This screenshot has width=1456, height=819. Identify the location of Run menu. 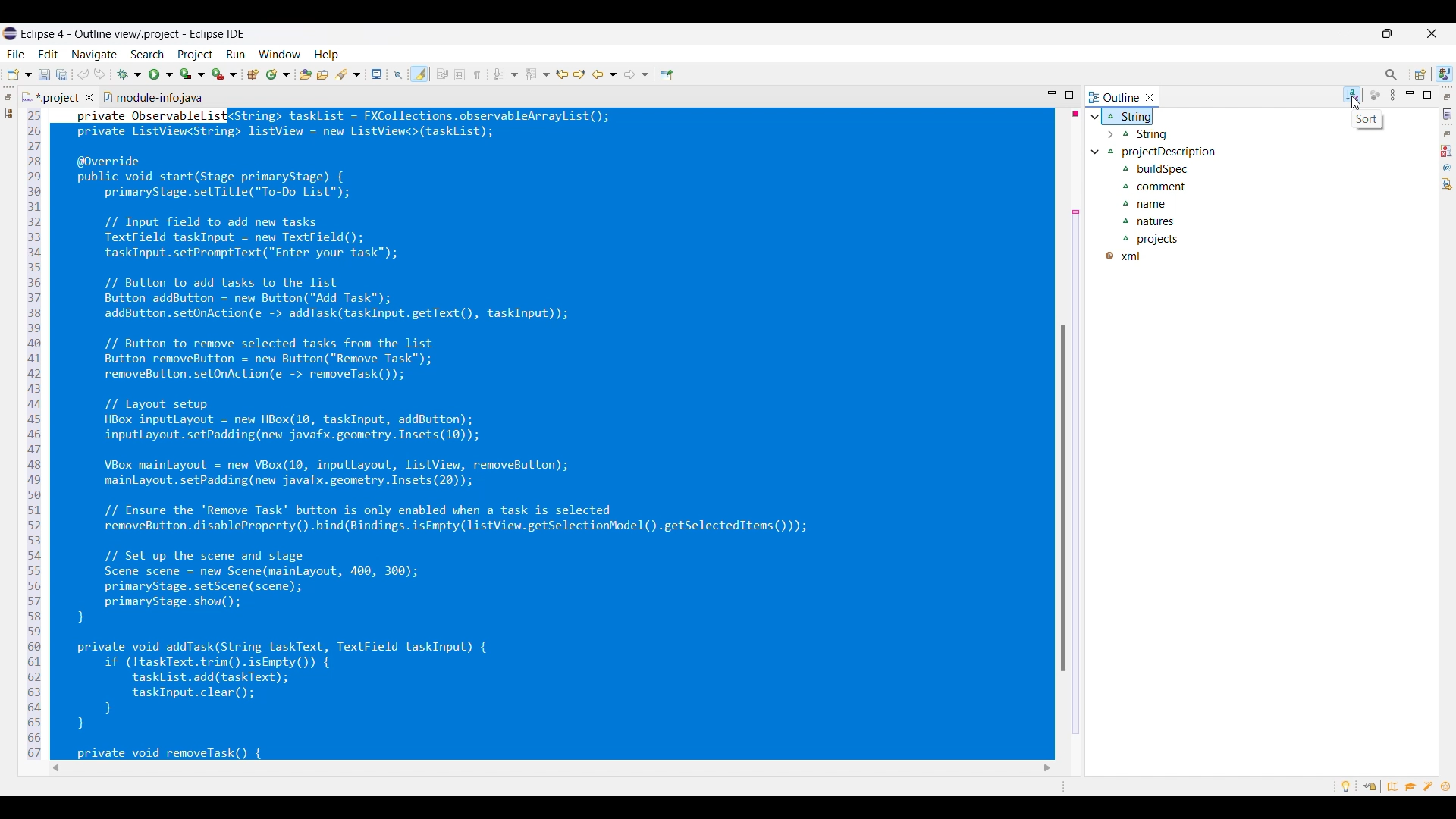
(236, 55).